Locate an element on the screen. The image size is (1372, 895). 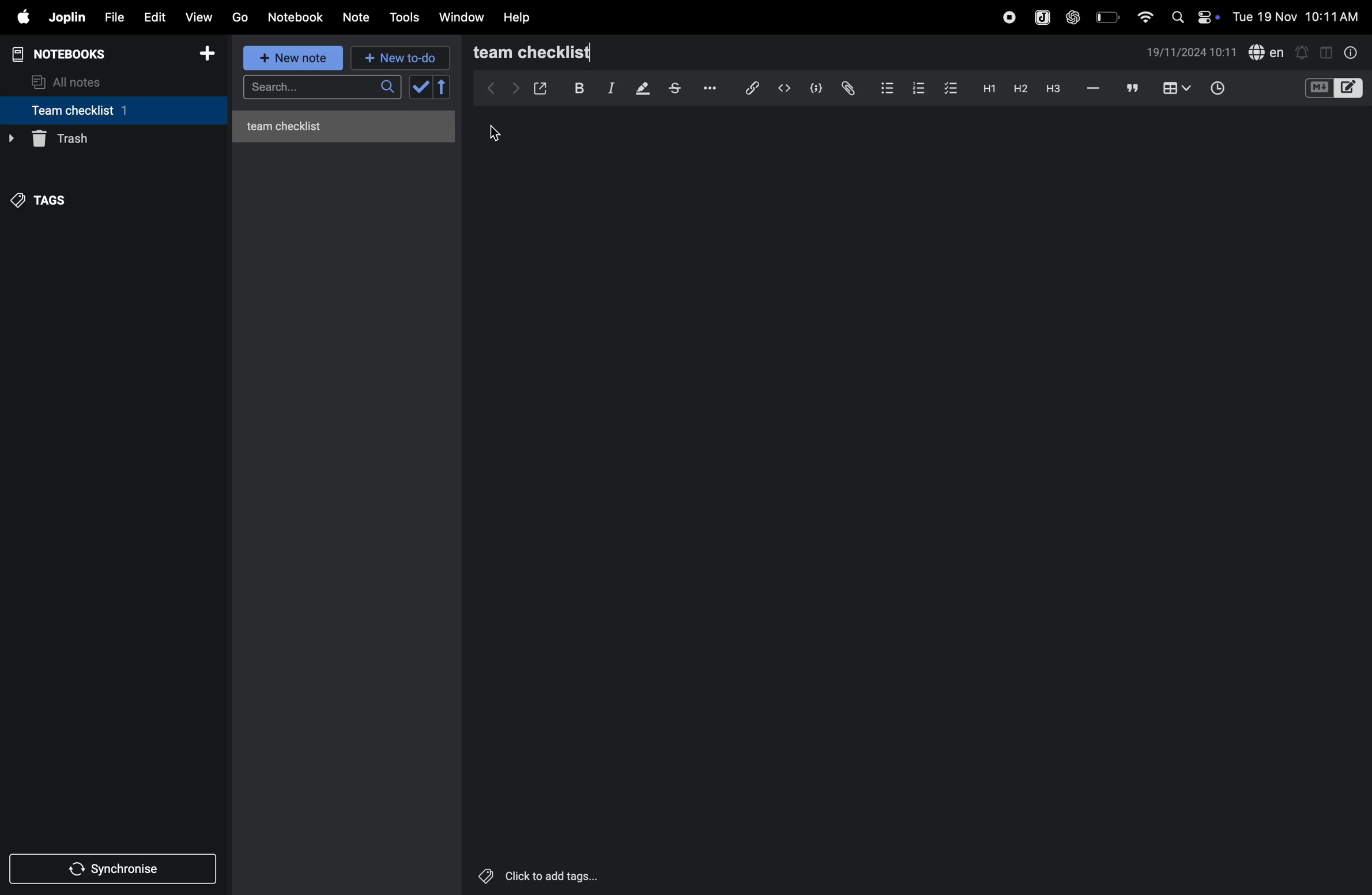
apple menu is located at coordinates (22, 18).